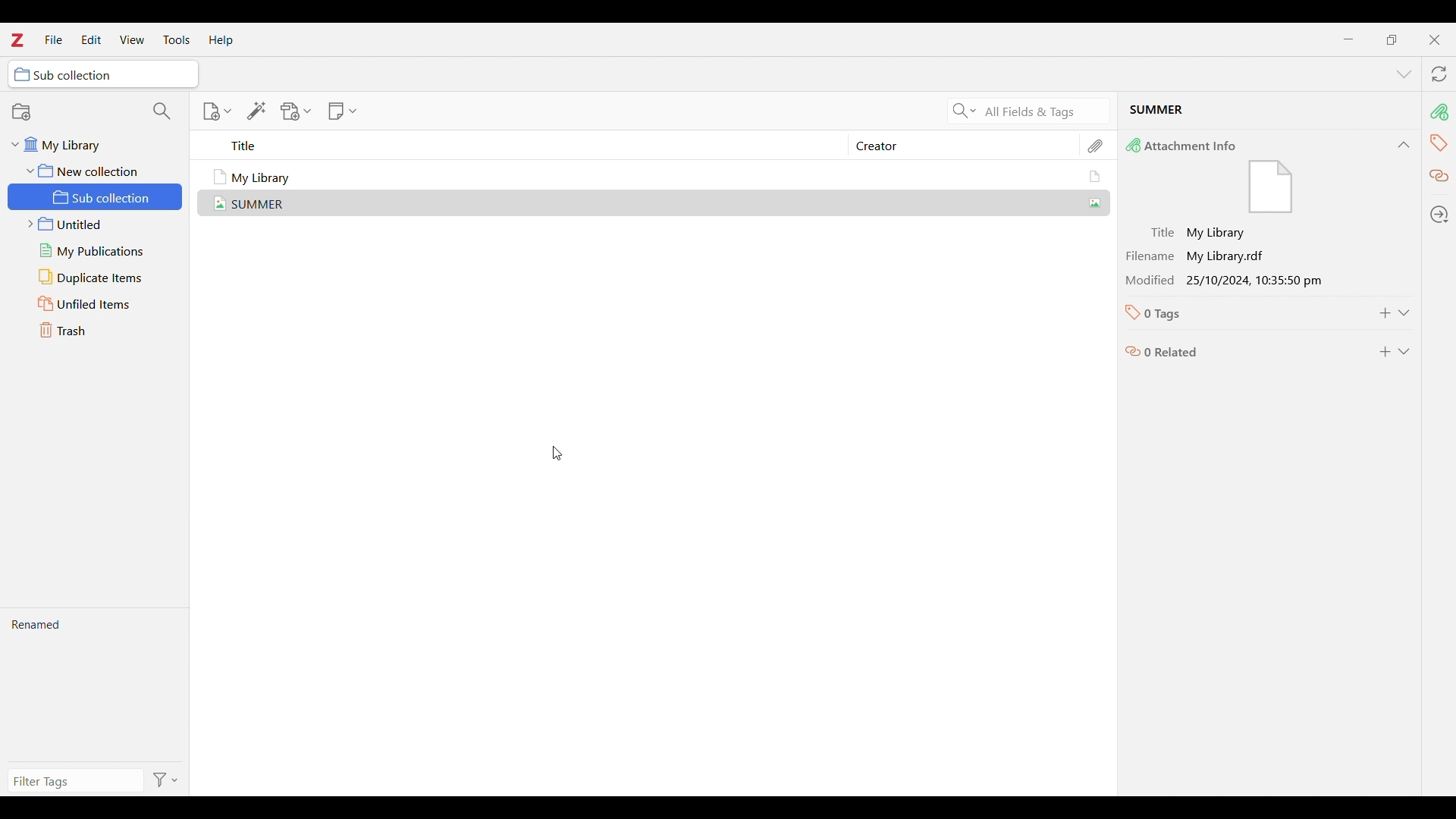  Describe the element at coordinates (1440, 214) in the screenshot. I see `Locate` at that location.